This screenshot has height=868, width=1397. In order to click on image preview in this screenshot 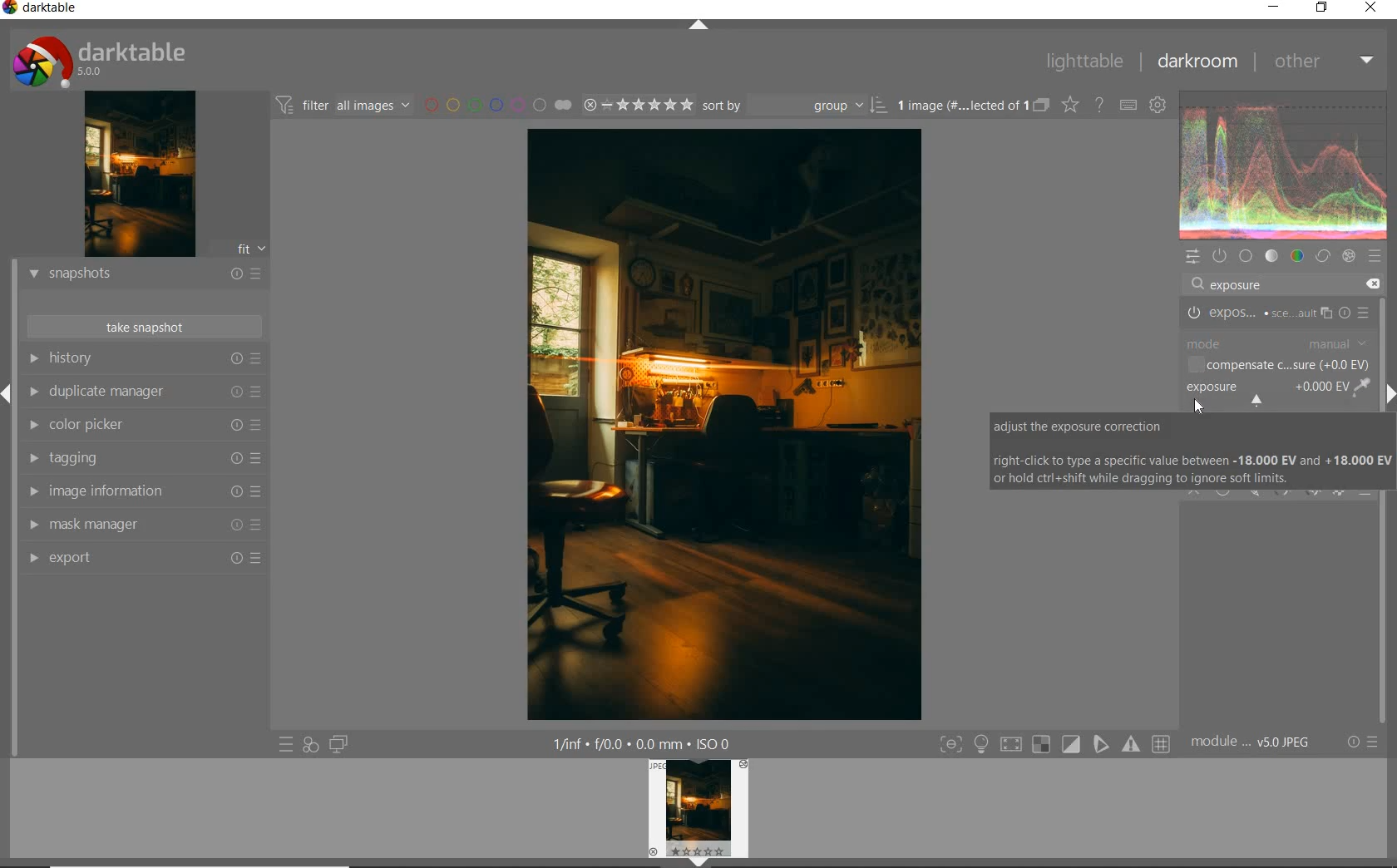, I will do `click(136, 175)`.